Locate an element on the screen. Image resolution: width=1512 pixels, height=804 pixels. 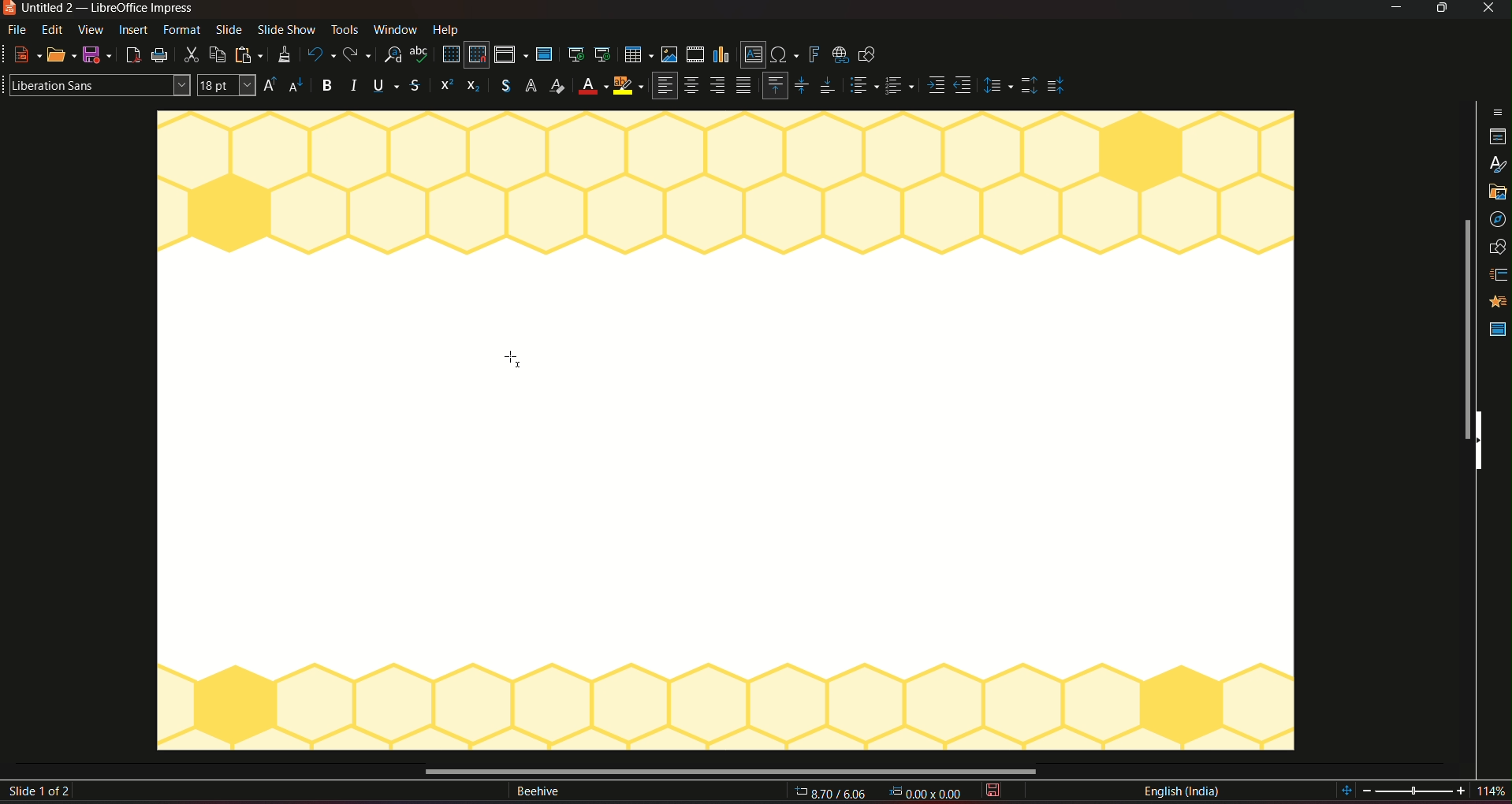
properties is located at coordinates (1496, 106).